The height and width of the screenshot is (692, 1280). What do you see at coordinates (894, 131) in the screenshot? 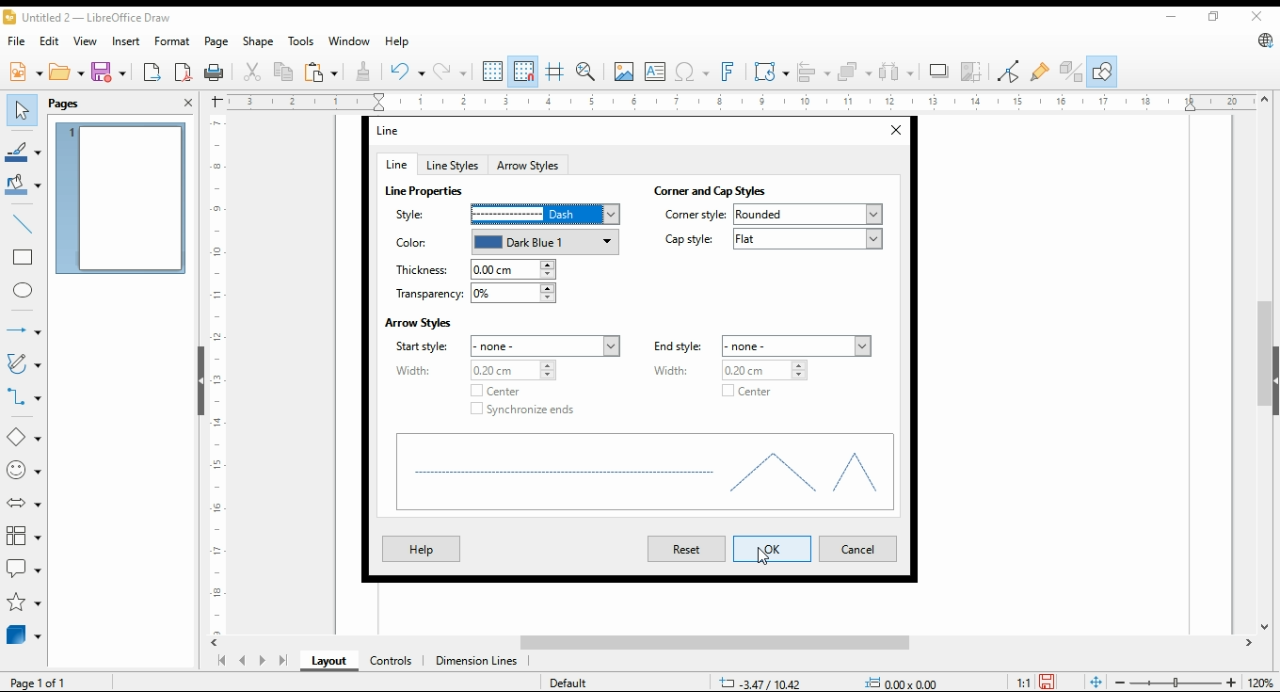
I see `close window` at bounding box center [894, 131].